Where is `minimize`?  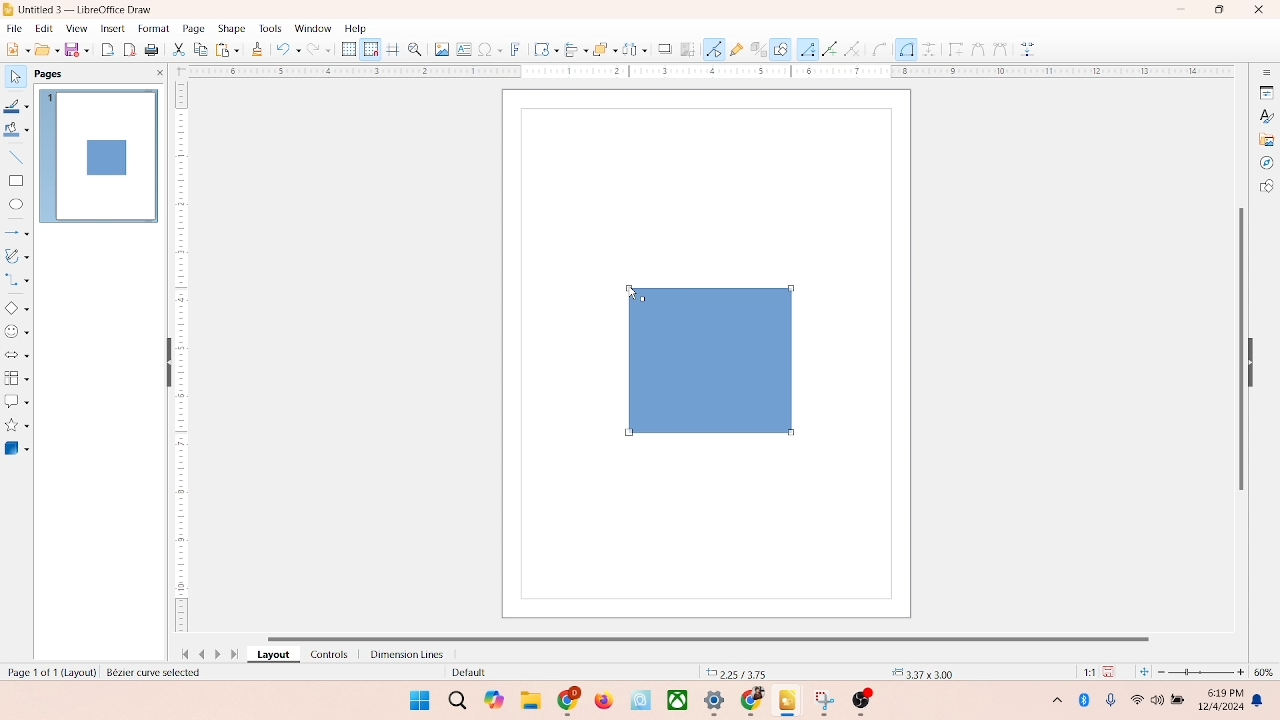
minimize is located at coordinates (1183, 9).